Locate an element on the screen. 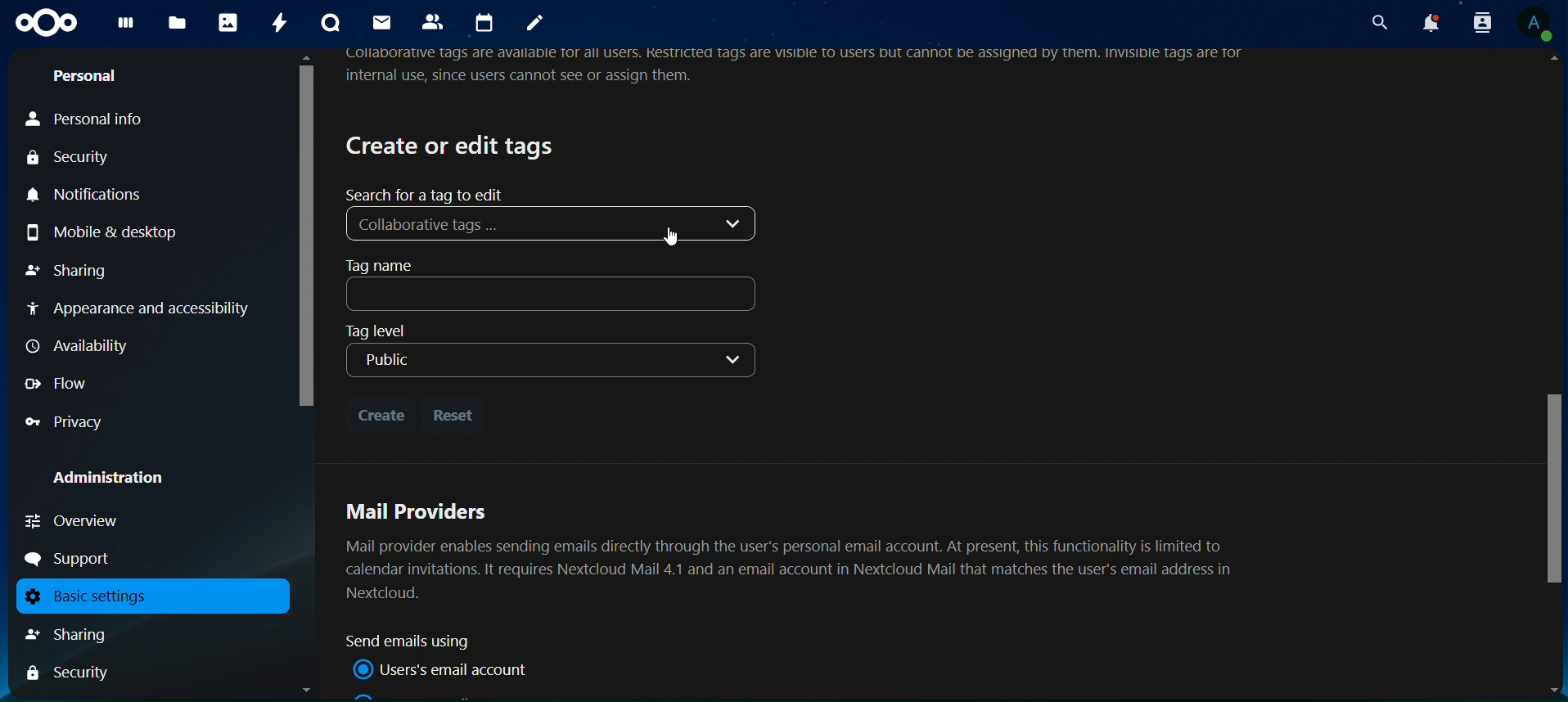  dashboard is located at coordinates (126, 27).